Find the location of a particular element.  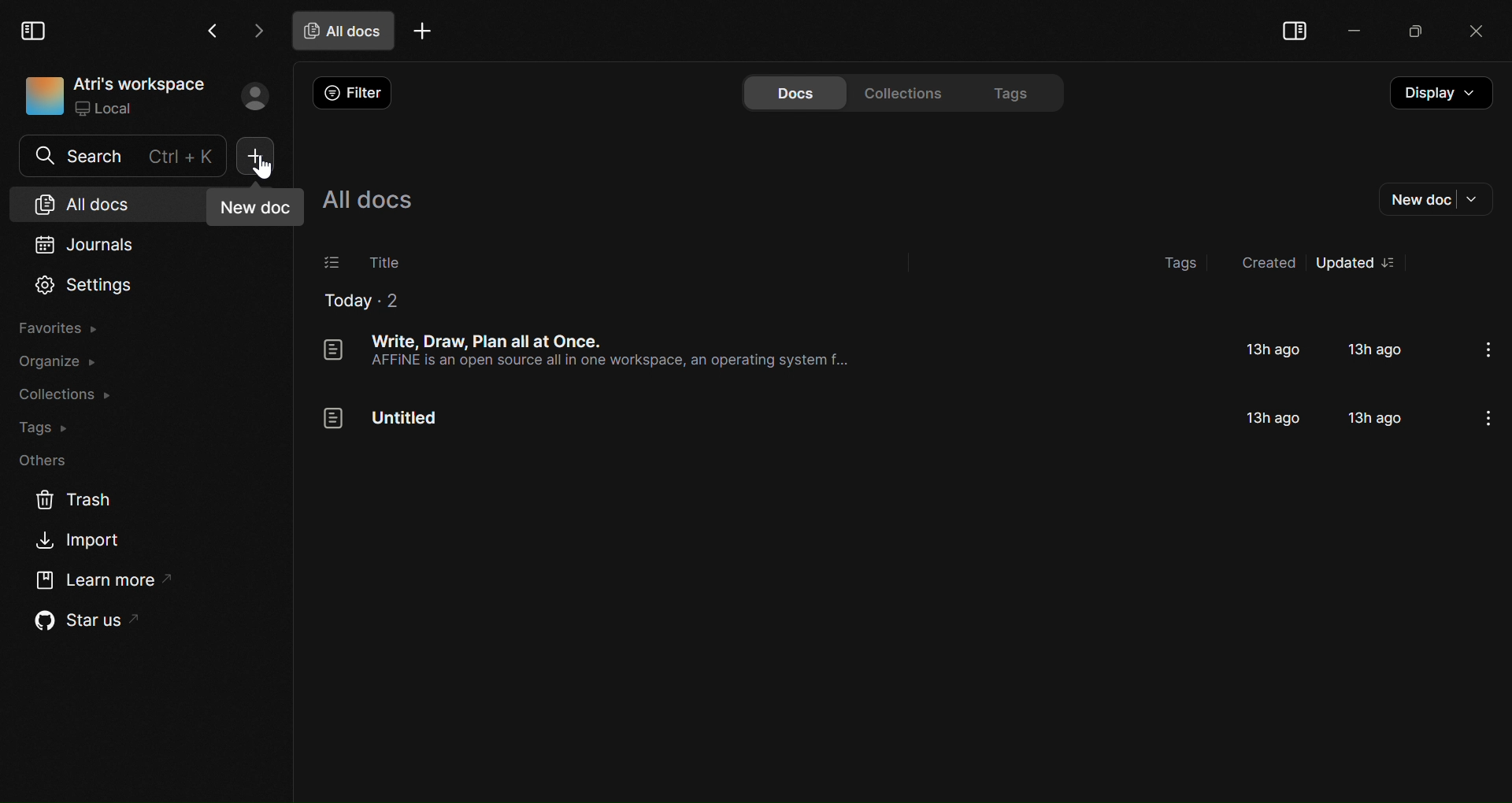

13h ago is located at coordinates (1378, 349).